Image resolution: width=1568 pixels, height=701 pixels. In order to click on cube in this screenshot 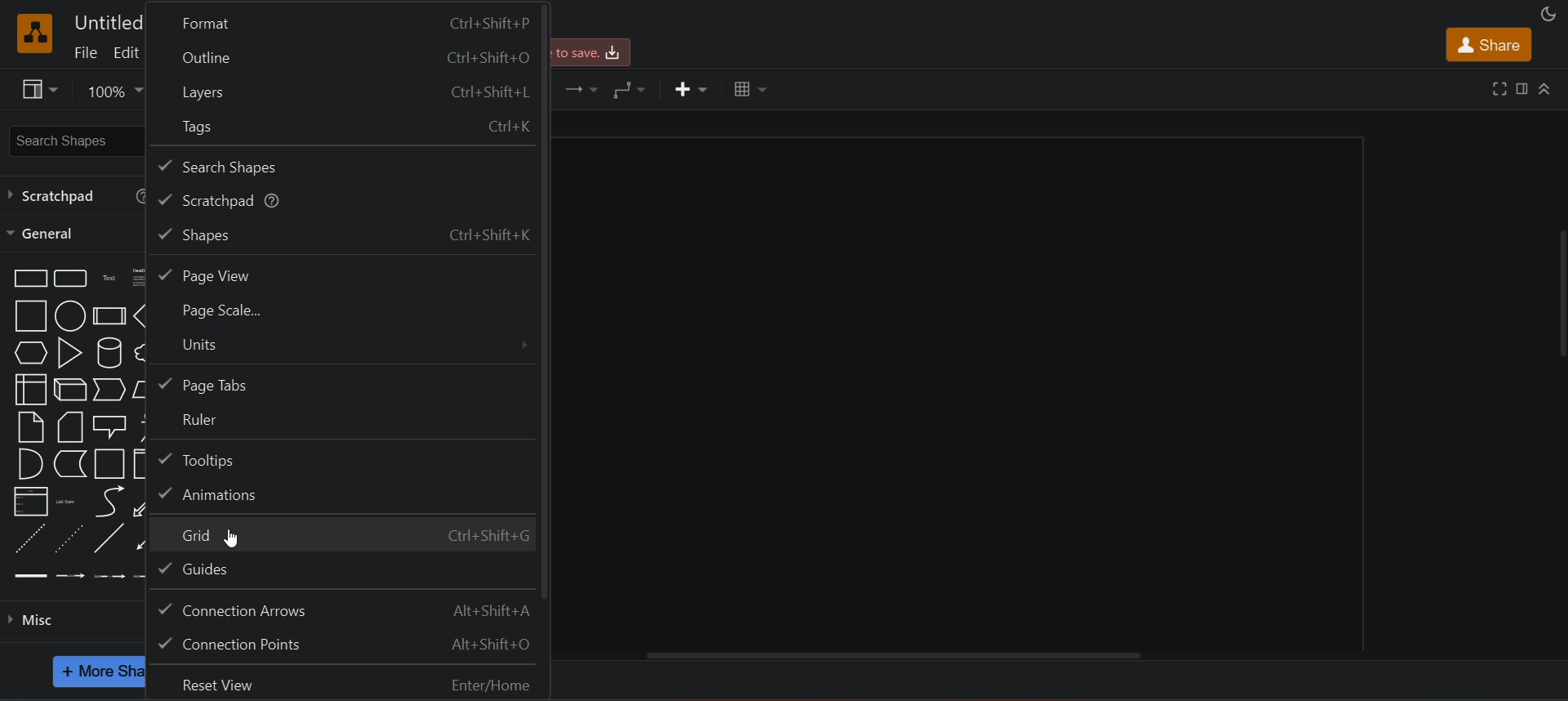, I will do `click(72, 386)`.